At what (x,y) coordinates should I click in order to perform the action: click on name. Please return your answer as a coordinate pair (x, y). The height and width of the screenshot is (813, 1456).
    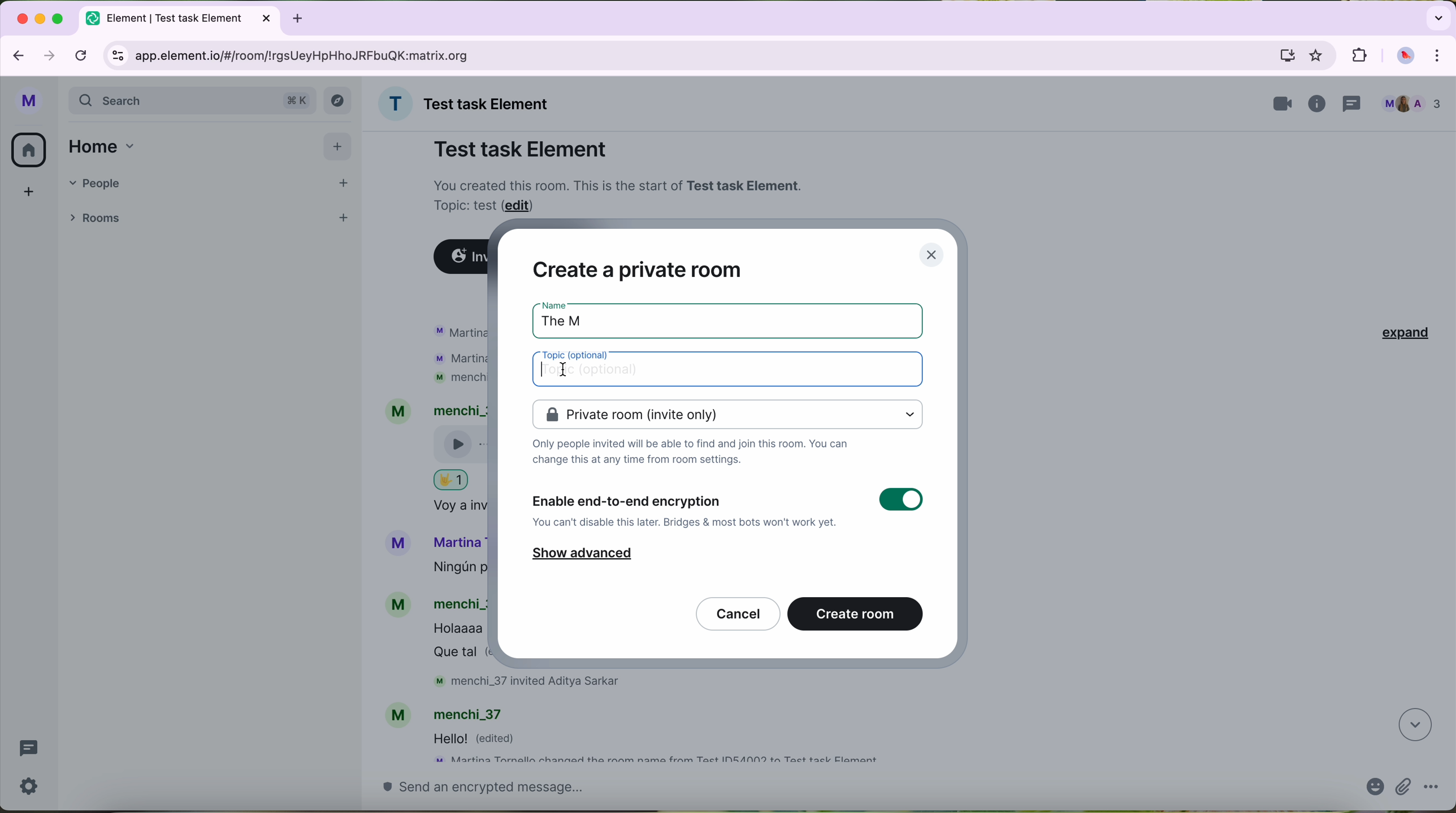
    Looking at the image, I should click on (469, 103).